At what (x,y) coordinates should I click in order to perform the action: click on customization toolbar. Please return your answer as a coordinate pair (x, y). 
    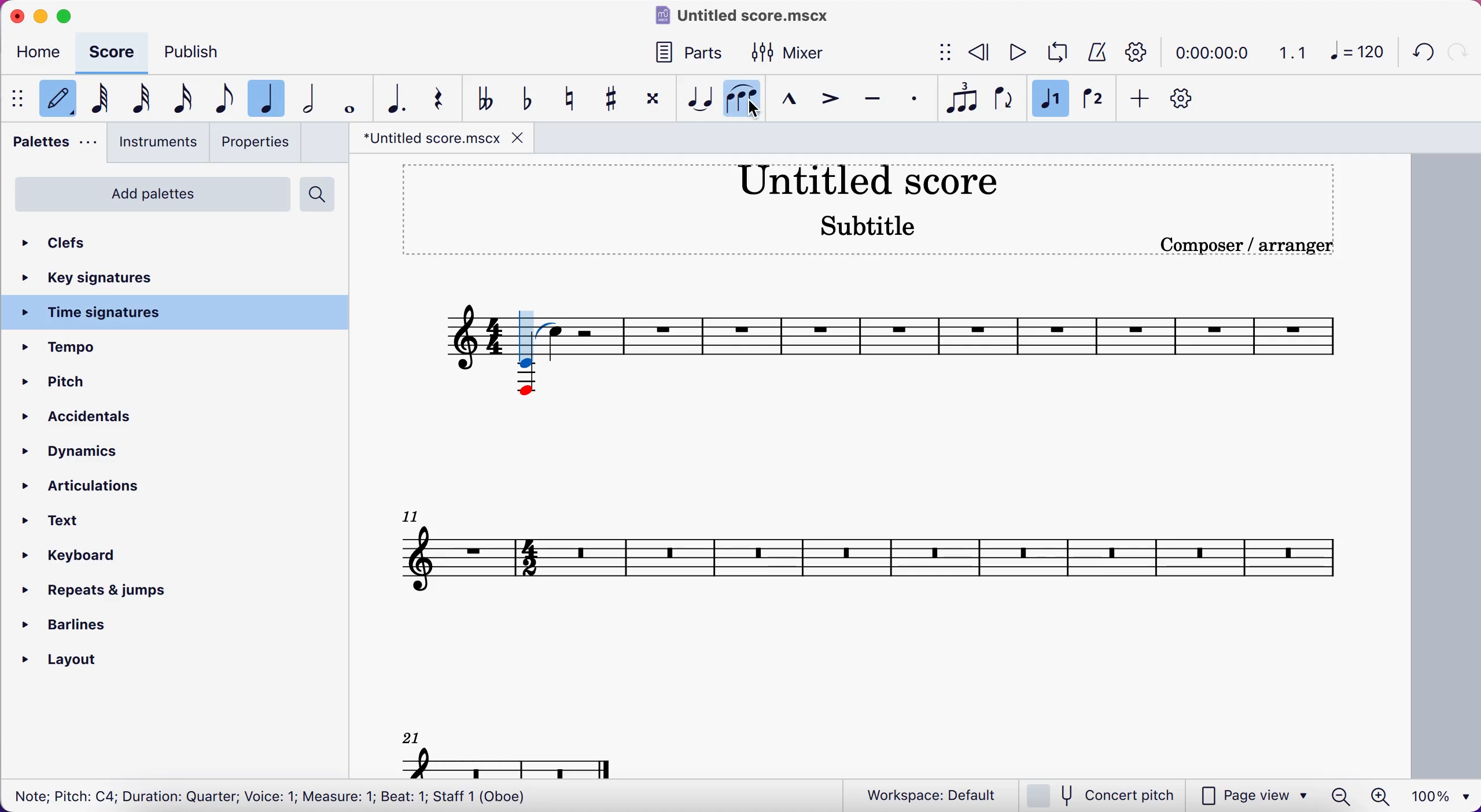
    Looking at the image, I should click on (1194, 102).